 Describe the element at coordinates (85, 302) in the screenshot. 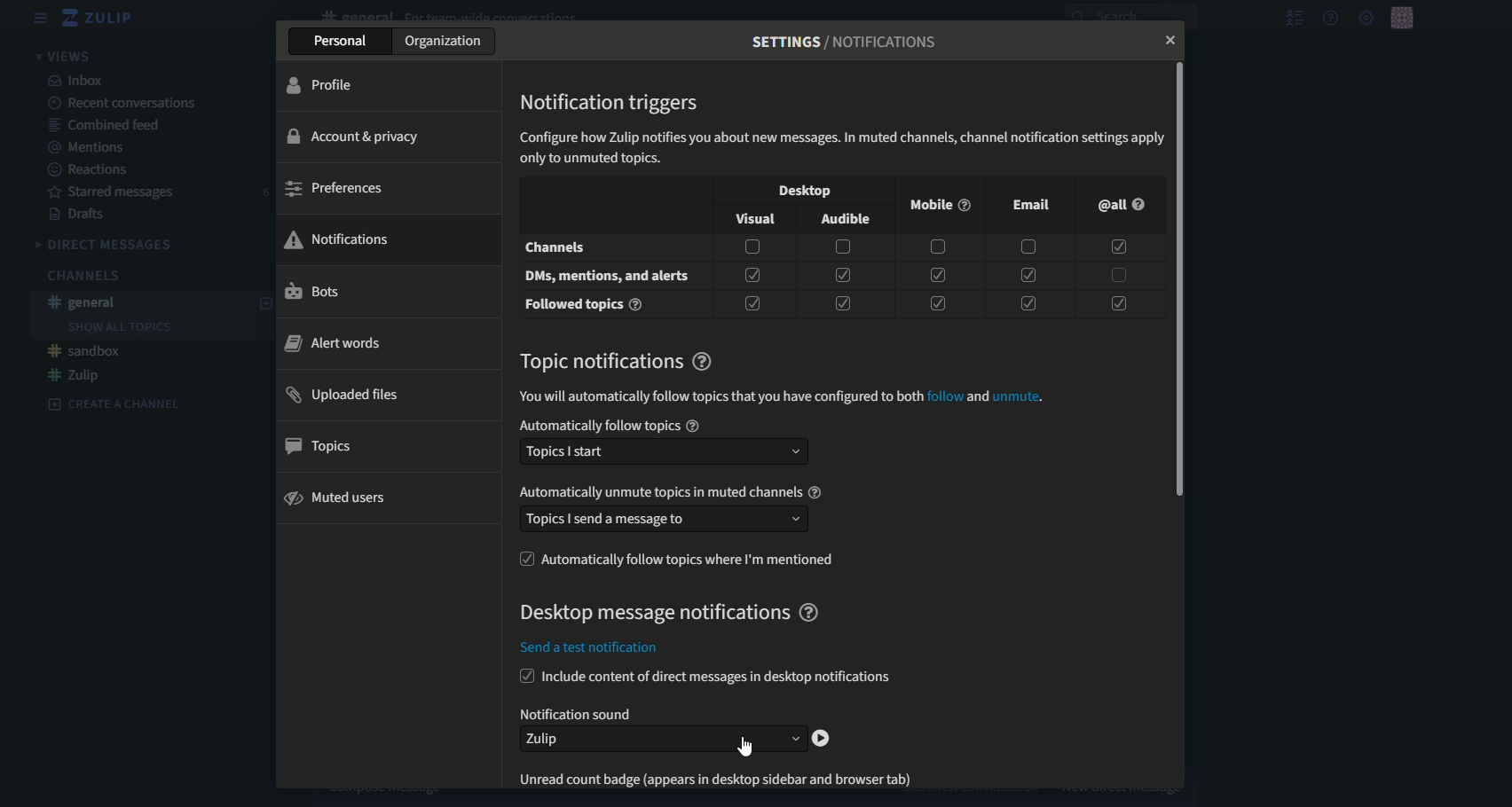

I see `#general` at that location.